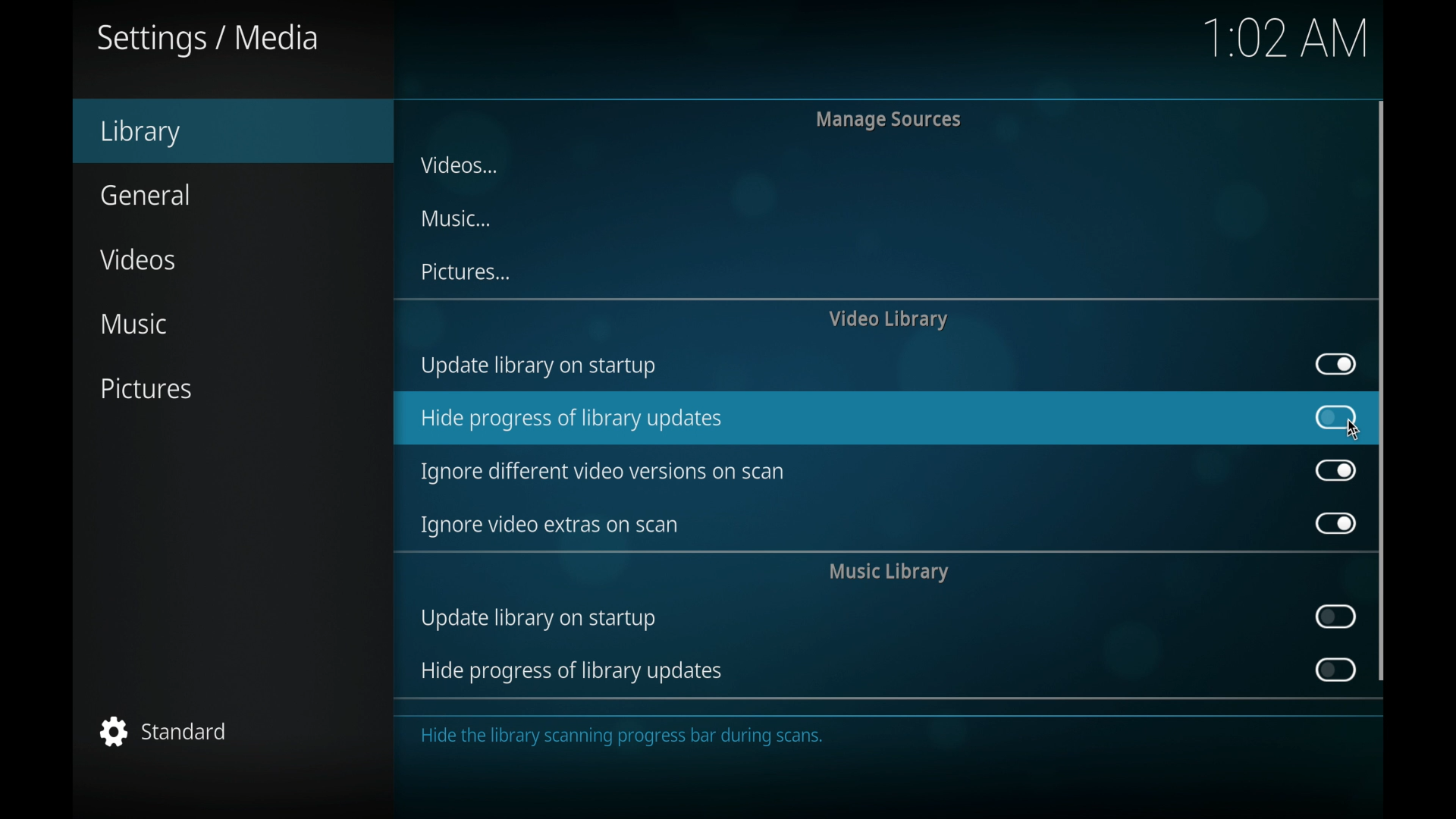  What do you see at coordinates (888, 120) in the screenshot?
I see `manage sources` at bounding box center [888, 120].